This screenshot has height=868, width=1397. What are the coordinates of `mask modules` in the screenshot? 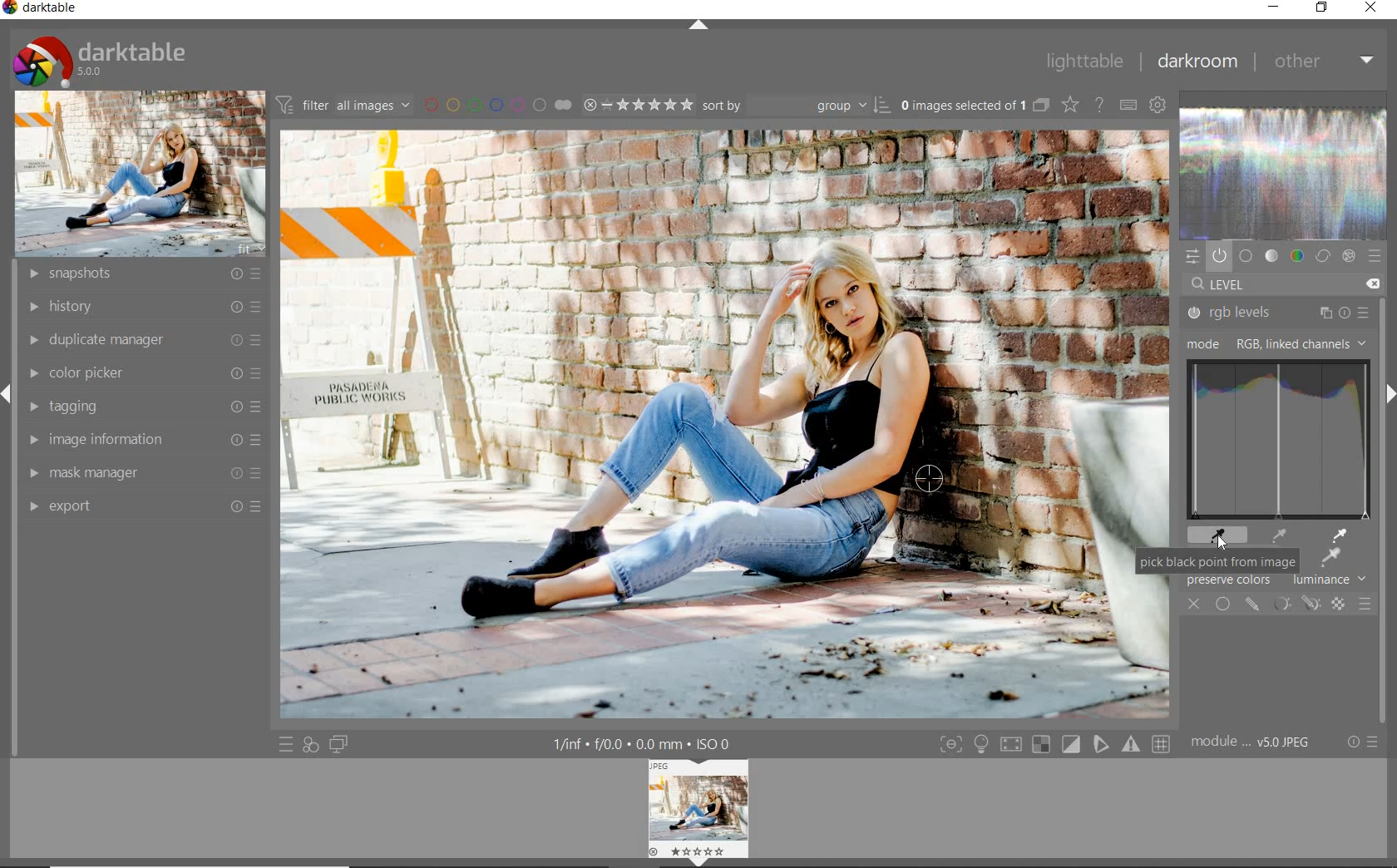 It's located at (1293, 604).